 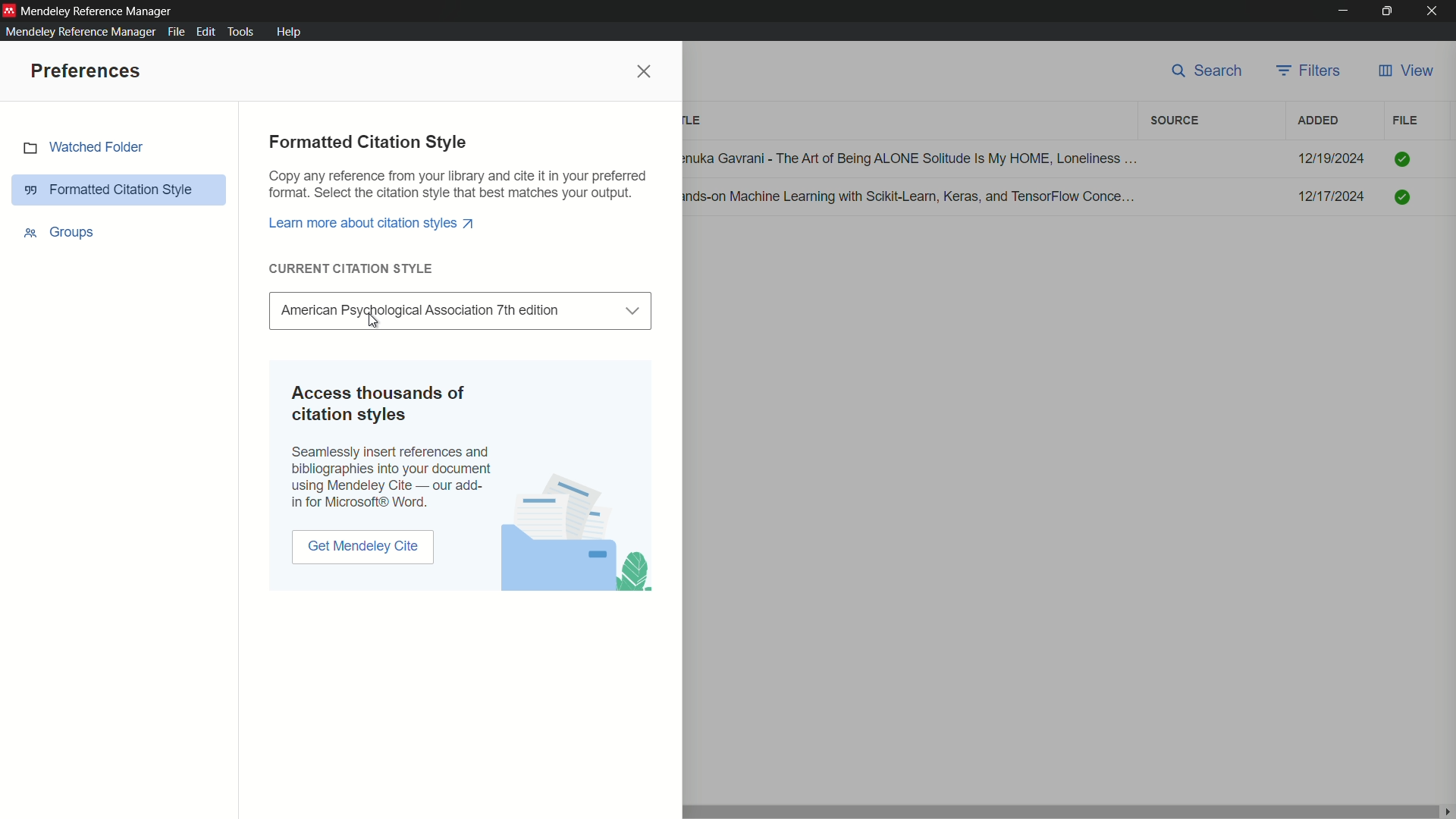 What do you see at coordinates (9, 11) in the screenshot?
I see `app icon` at bounding box center [9, 11].